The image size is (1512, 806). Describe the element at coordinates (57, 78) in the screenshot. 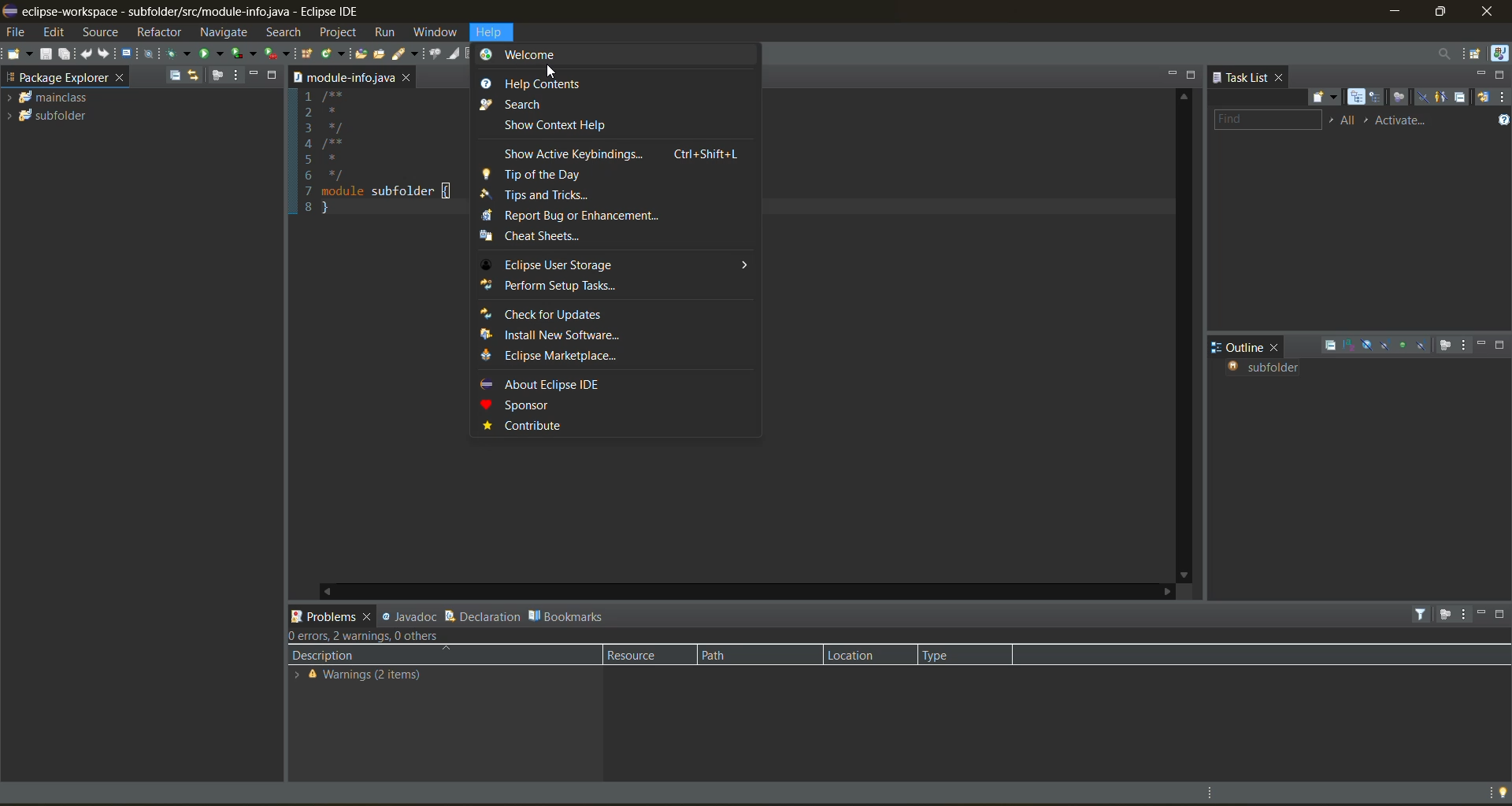

I see `package explorer` at that location.